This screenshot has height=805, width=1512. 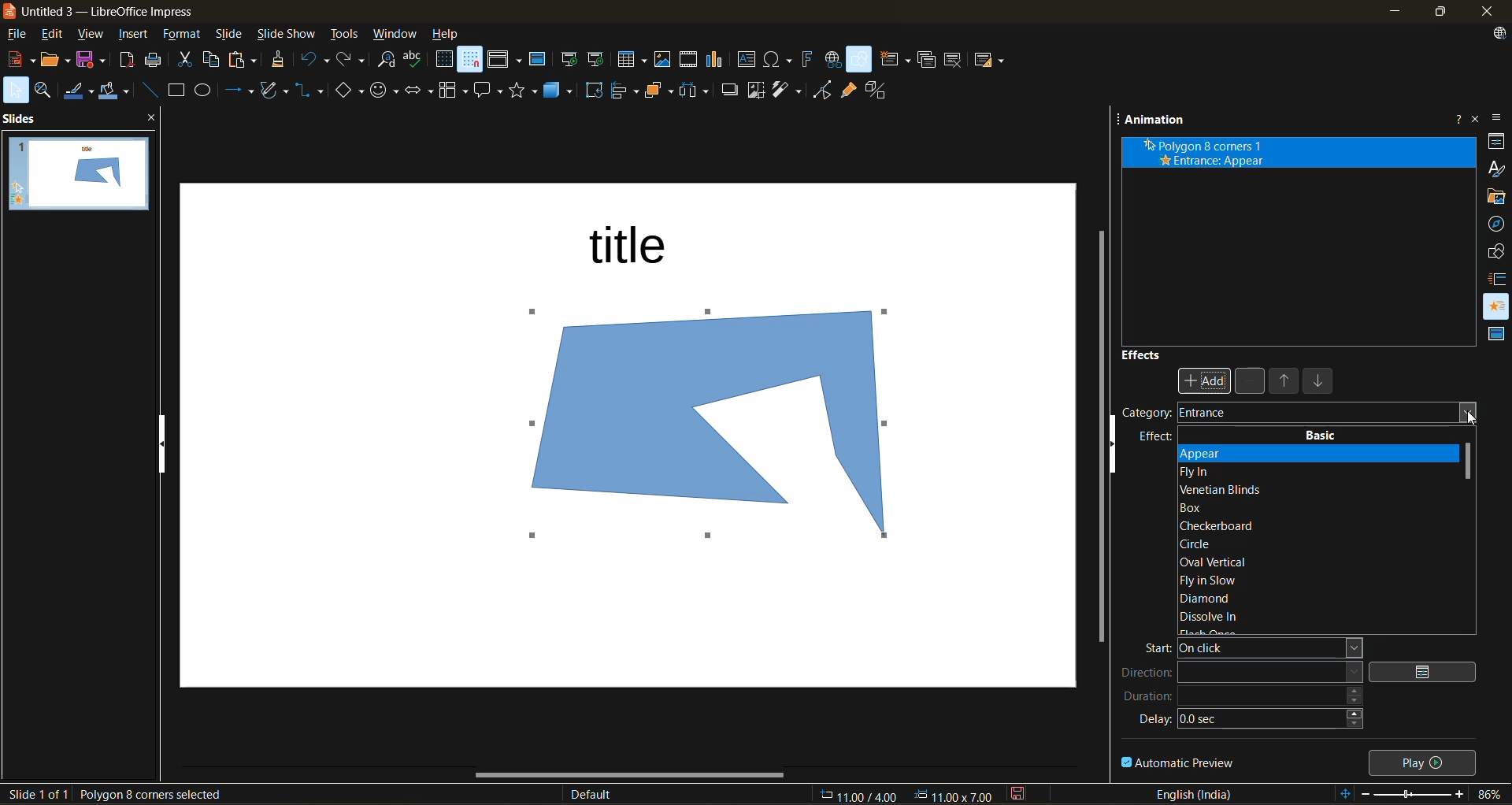 What do you see at coordinates (231, 36) in the screenshot?
I see `slide` at bounding box center [231, 36].